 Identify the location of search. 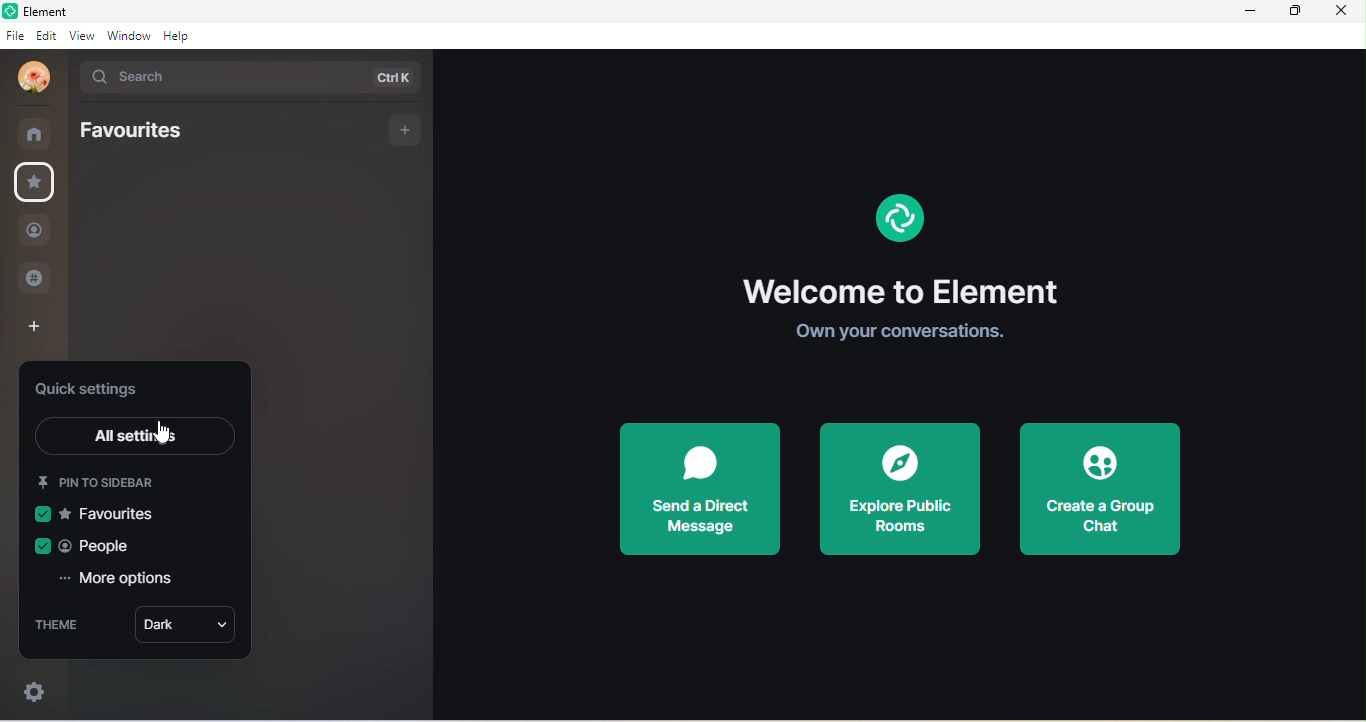
(253, 75).